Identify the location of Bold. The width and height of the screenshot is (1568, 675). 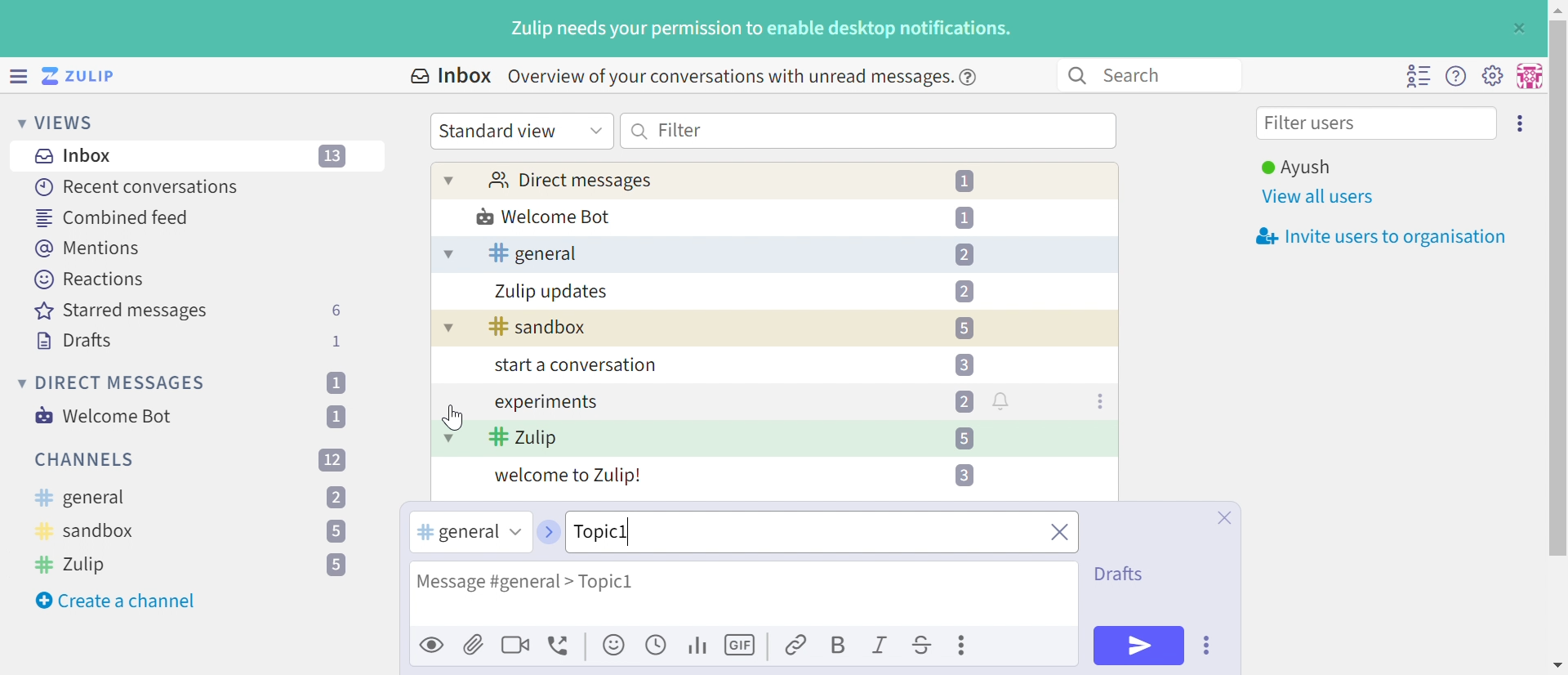
(837, 646).